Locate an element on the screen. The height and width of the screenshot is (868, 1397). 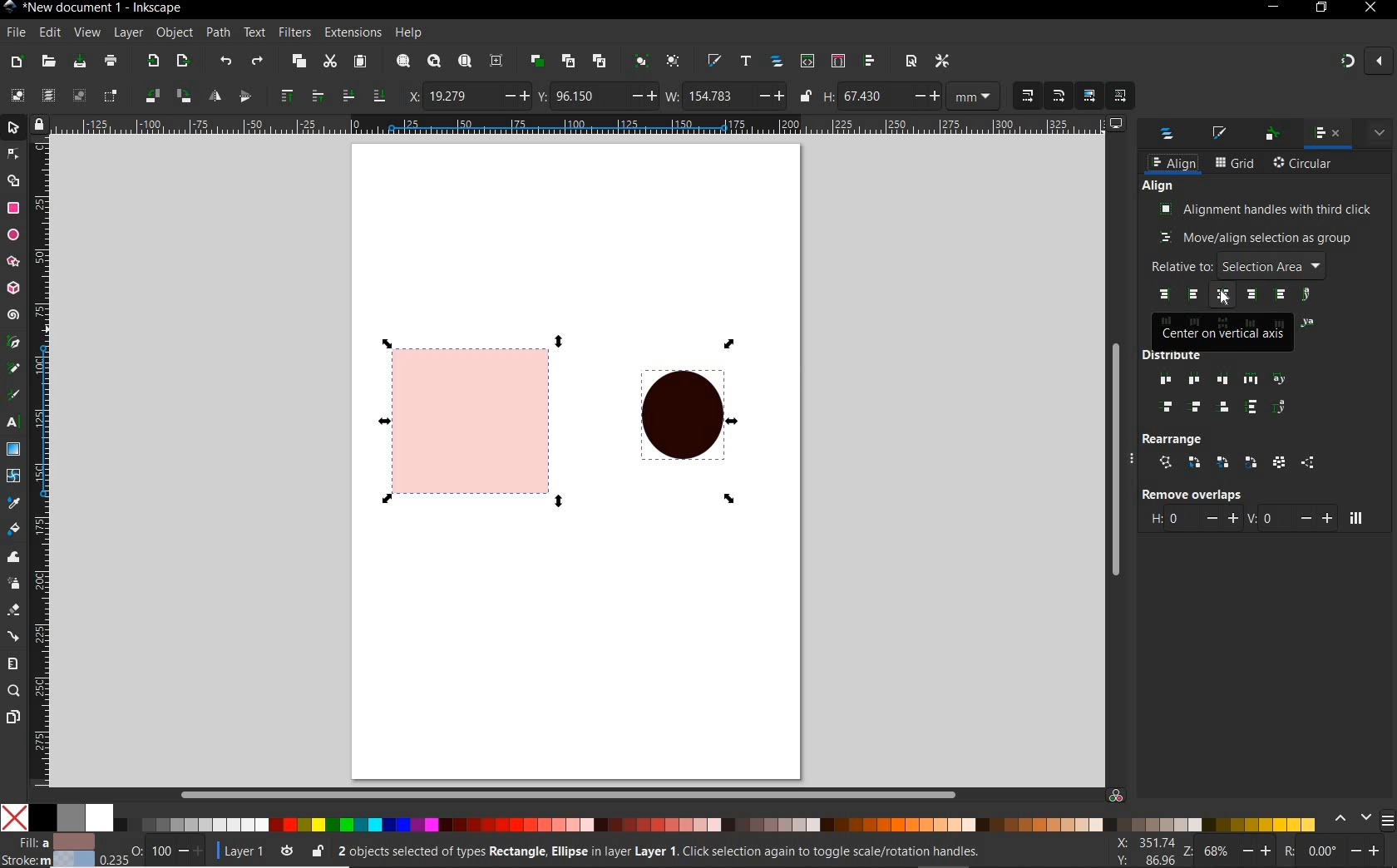
rectangle tool is located at coordinates (12, 209).